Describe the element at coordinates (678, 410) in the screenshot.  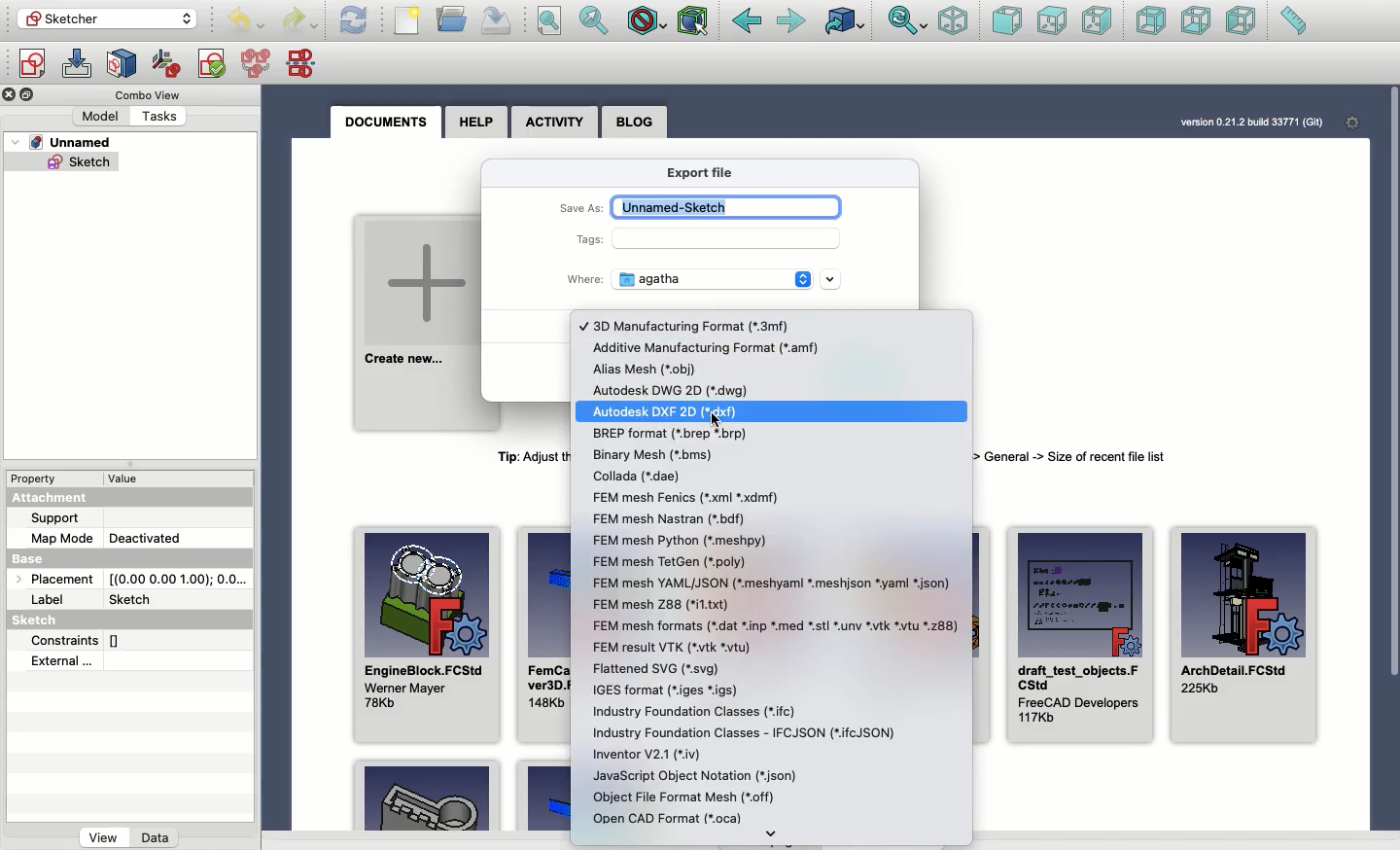
I see `Autodesk DXF` at that location.